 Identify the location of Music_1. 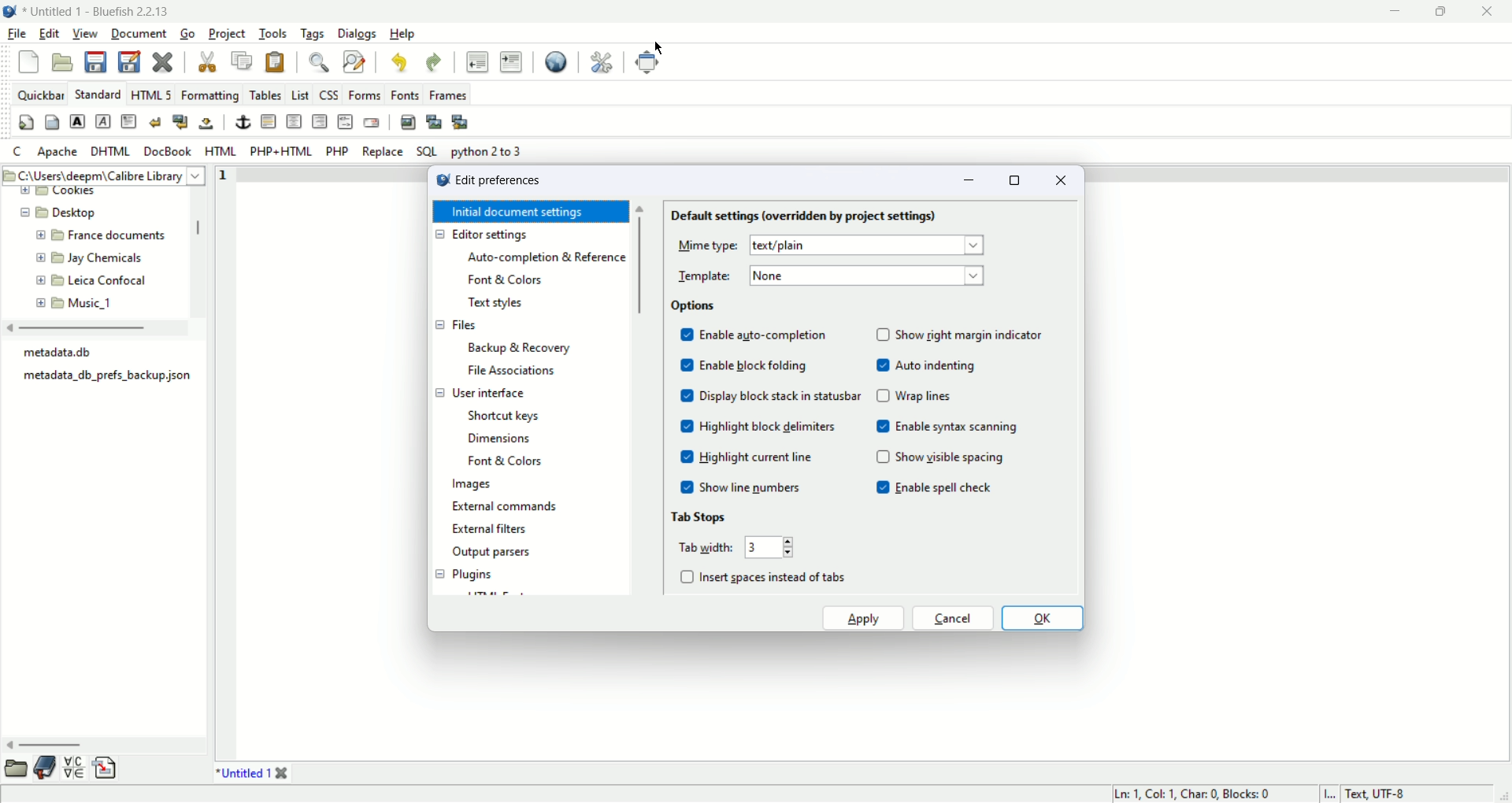
(94, 305).